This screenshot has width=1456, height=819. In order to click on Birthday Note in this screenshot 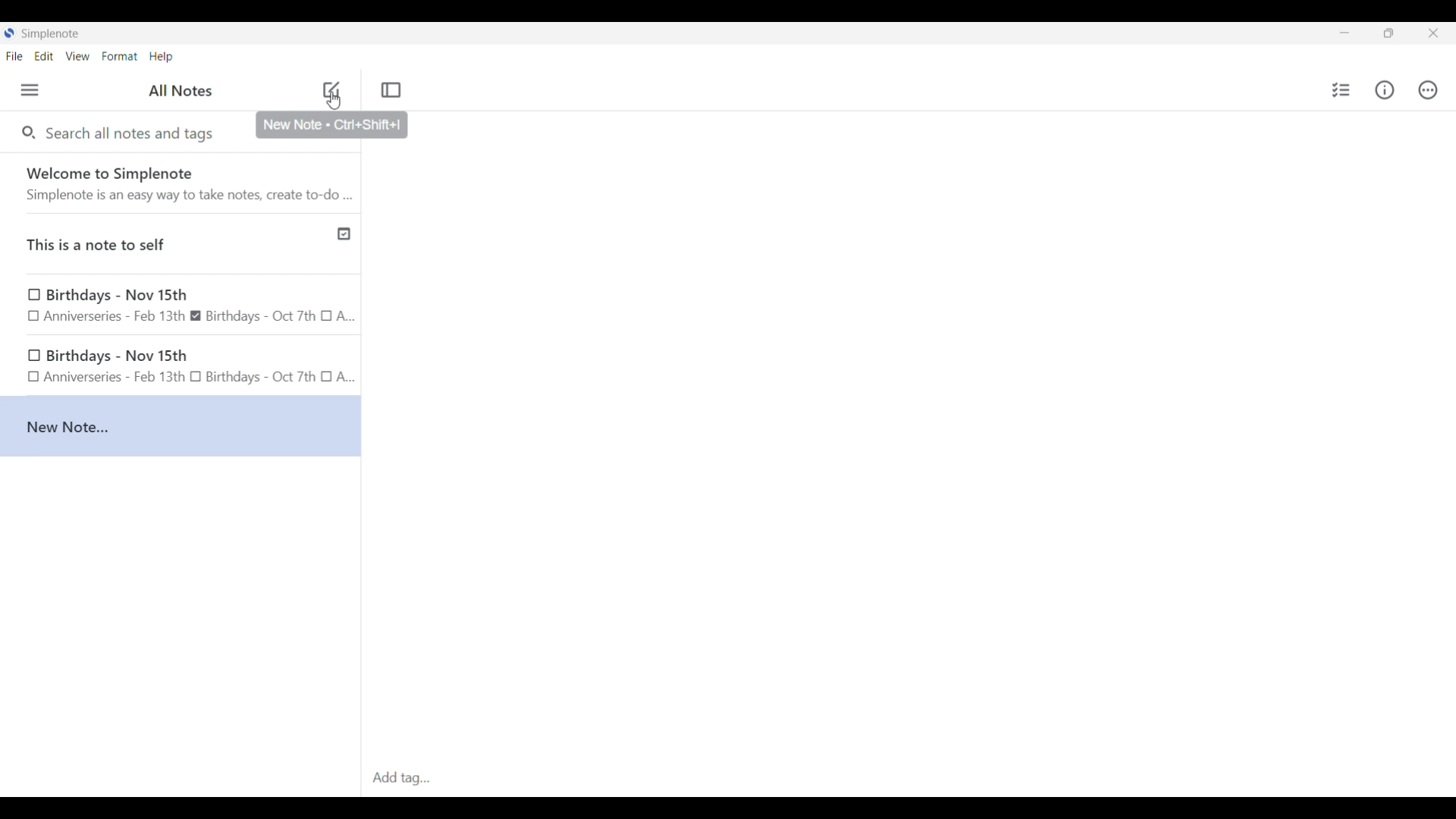, I will do `click(181, 303)`.